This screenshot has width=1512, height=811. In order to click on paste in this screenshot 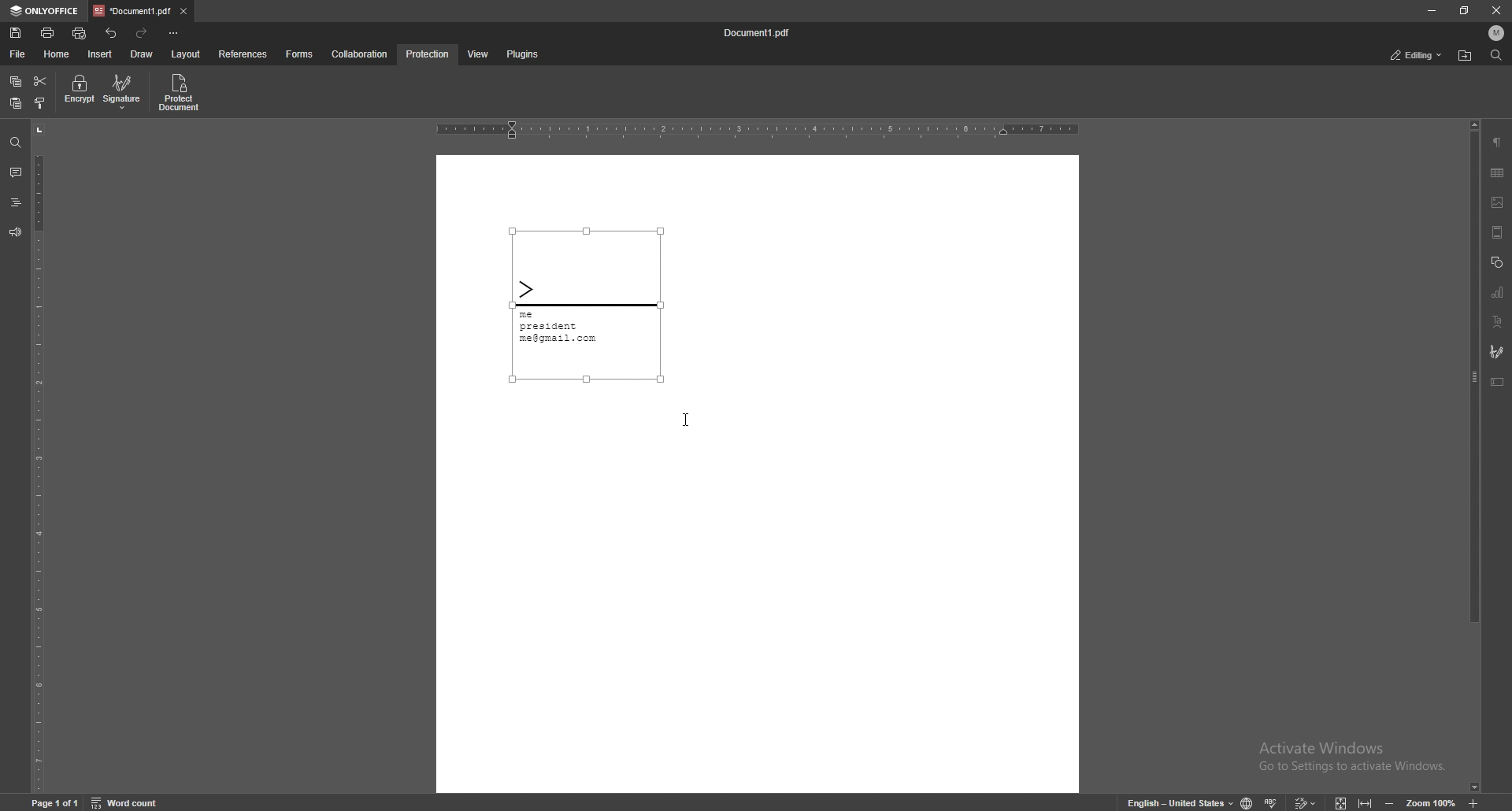, I will do `click(15, 104)`.